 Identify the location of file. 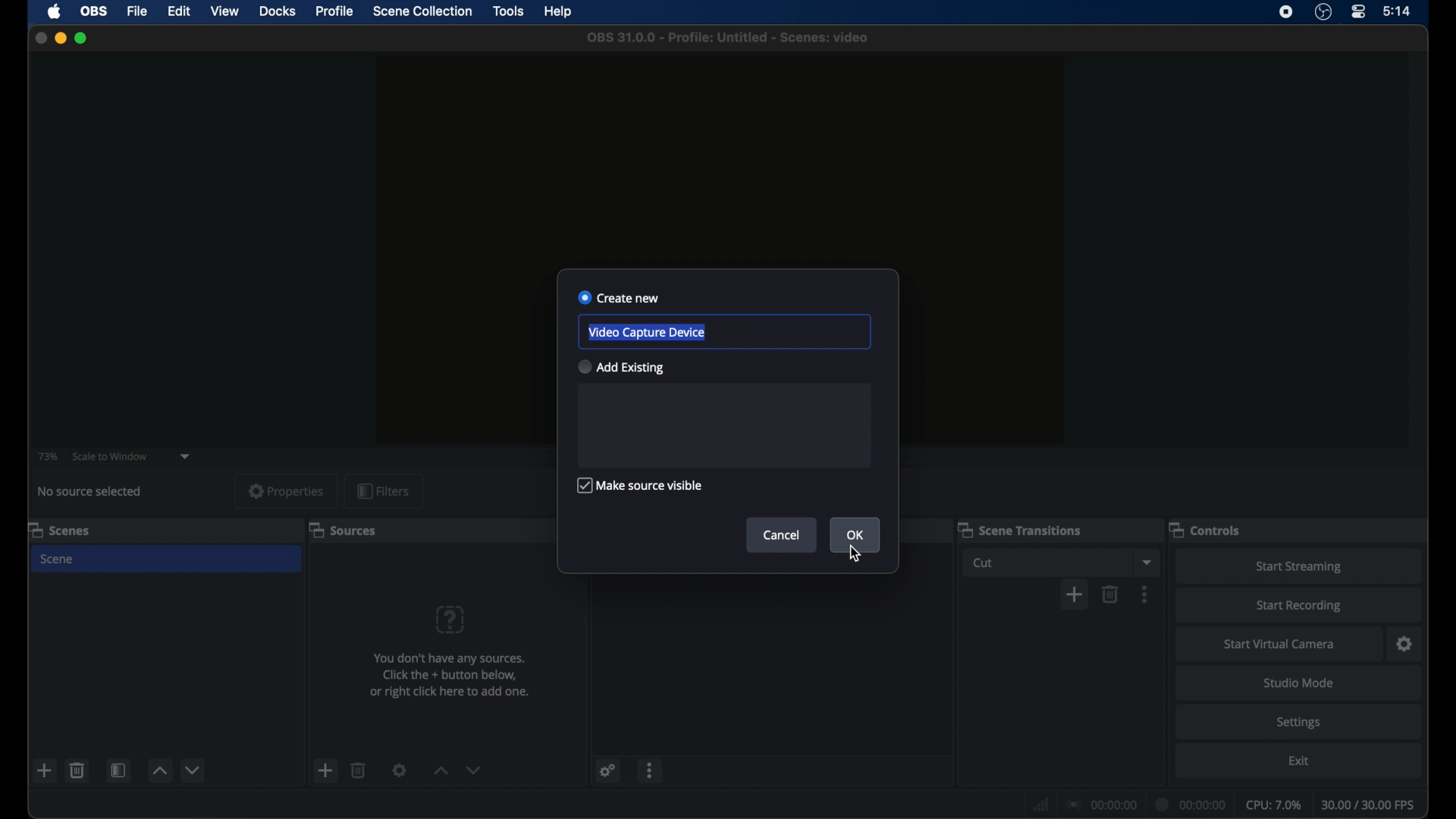
(136, 11).